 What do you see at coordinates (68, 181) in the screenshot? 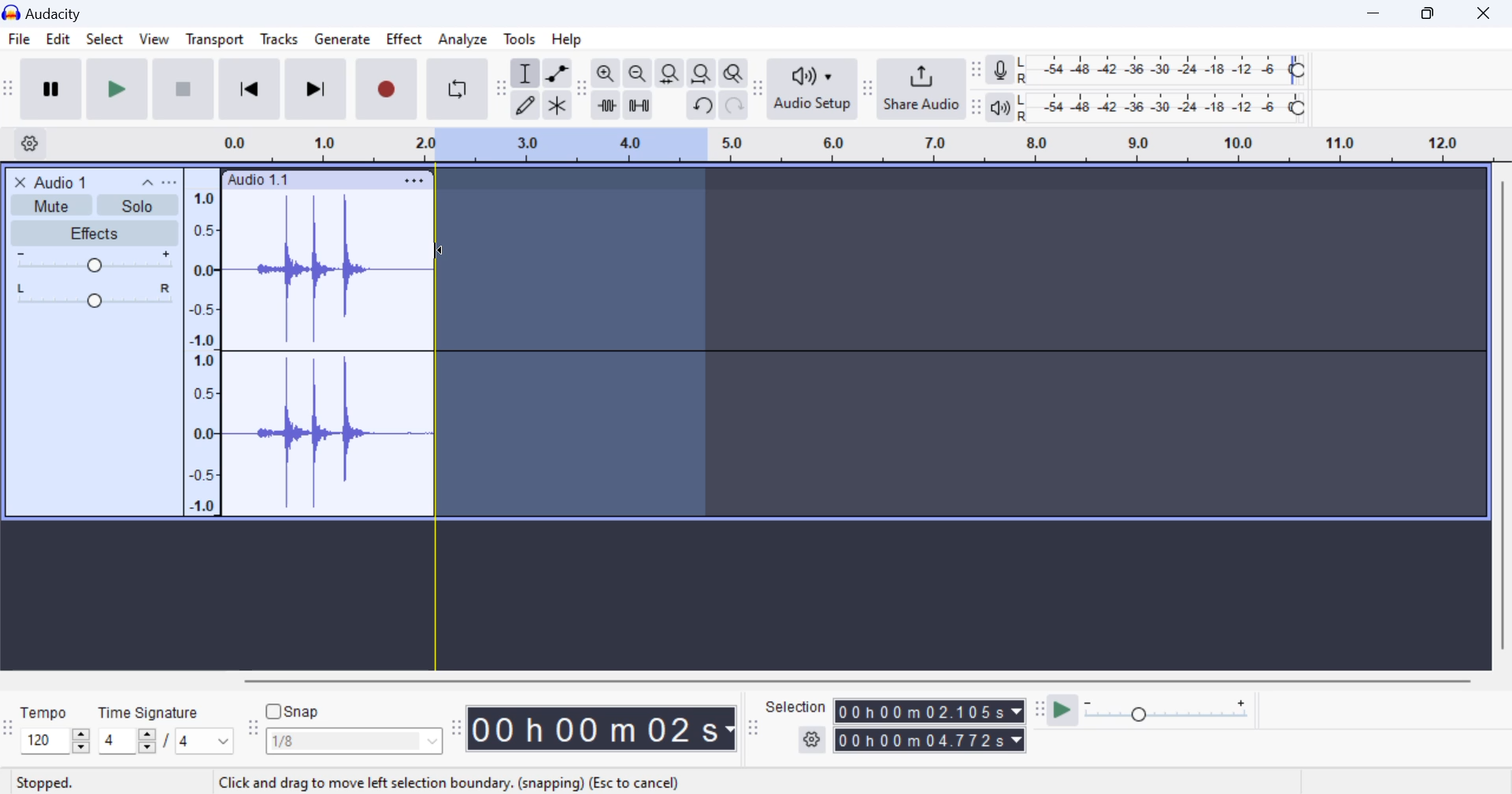
I see `Clip Title` at bounding box center [68, 181].